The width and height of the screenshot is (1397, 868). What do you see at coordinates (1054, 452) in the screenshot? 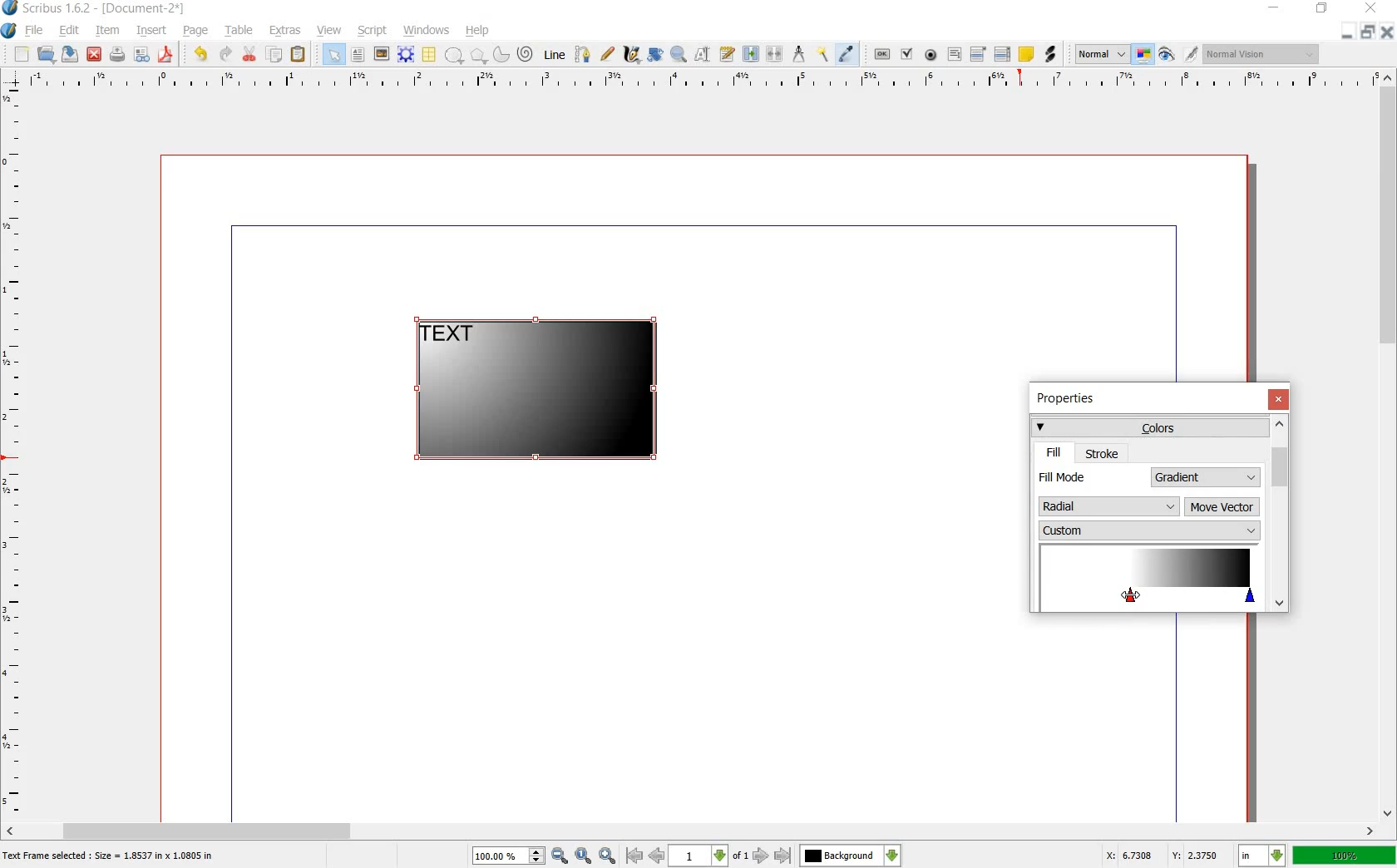
I see `fill` at bounding box center [1054, 452].